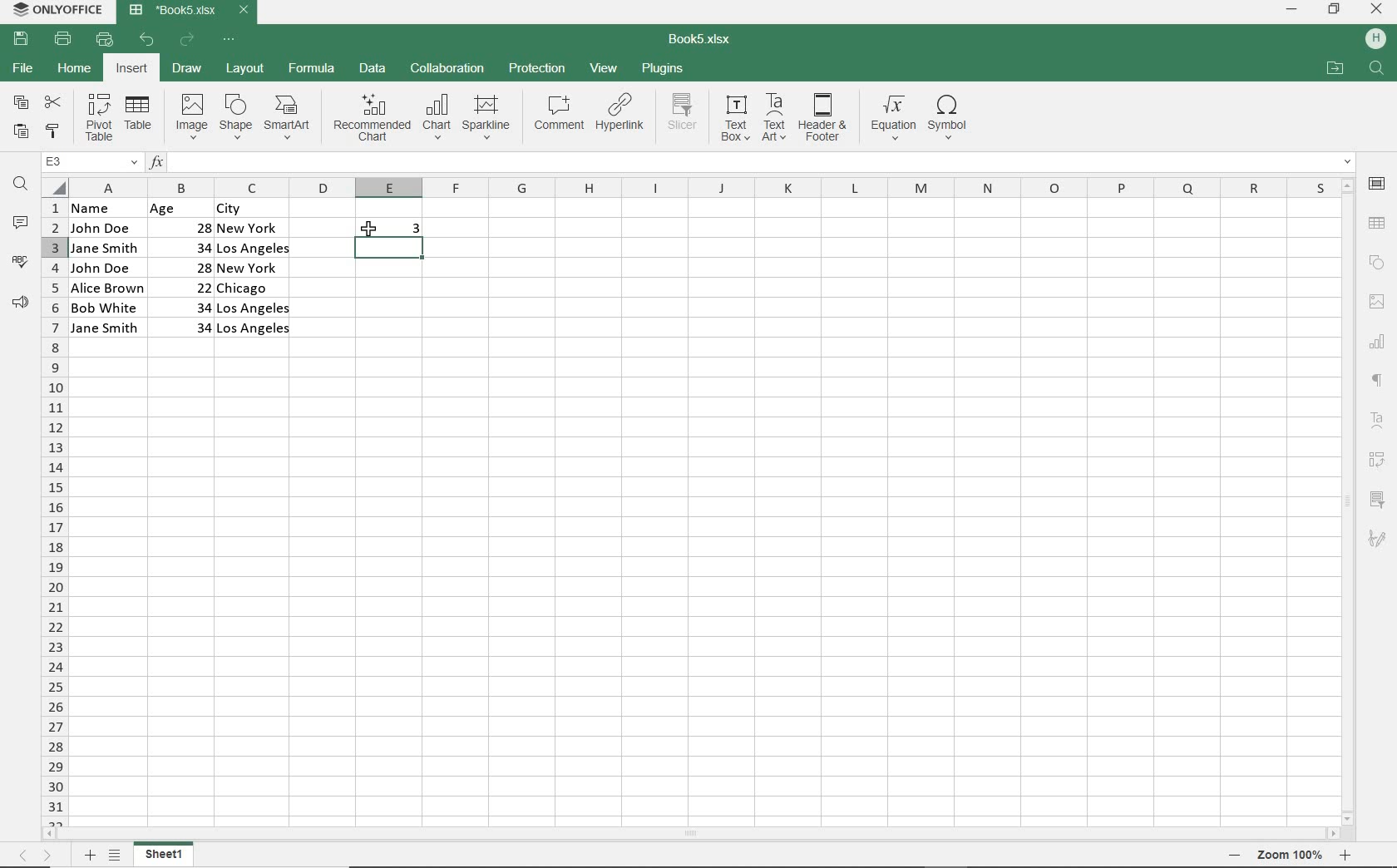  Describe the element at coordinates (140, 118) in the screenshot. I see `TABLE` at that location.